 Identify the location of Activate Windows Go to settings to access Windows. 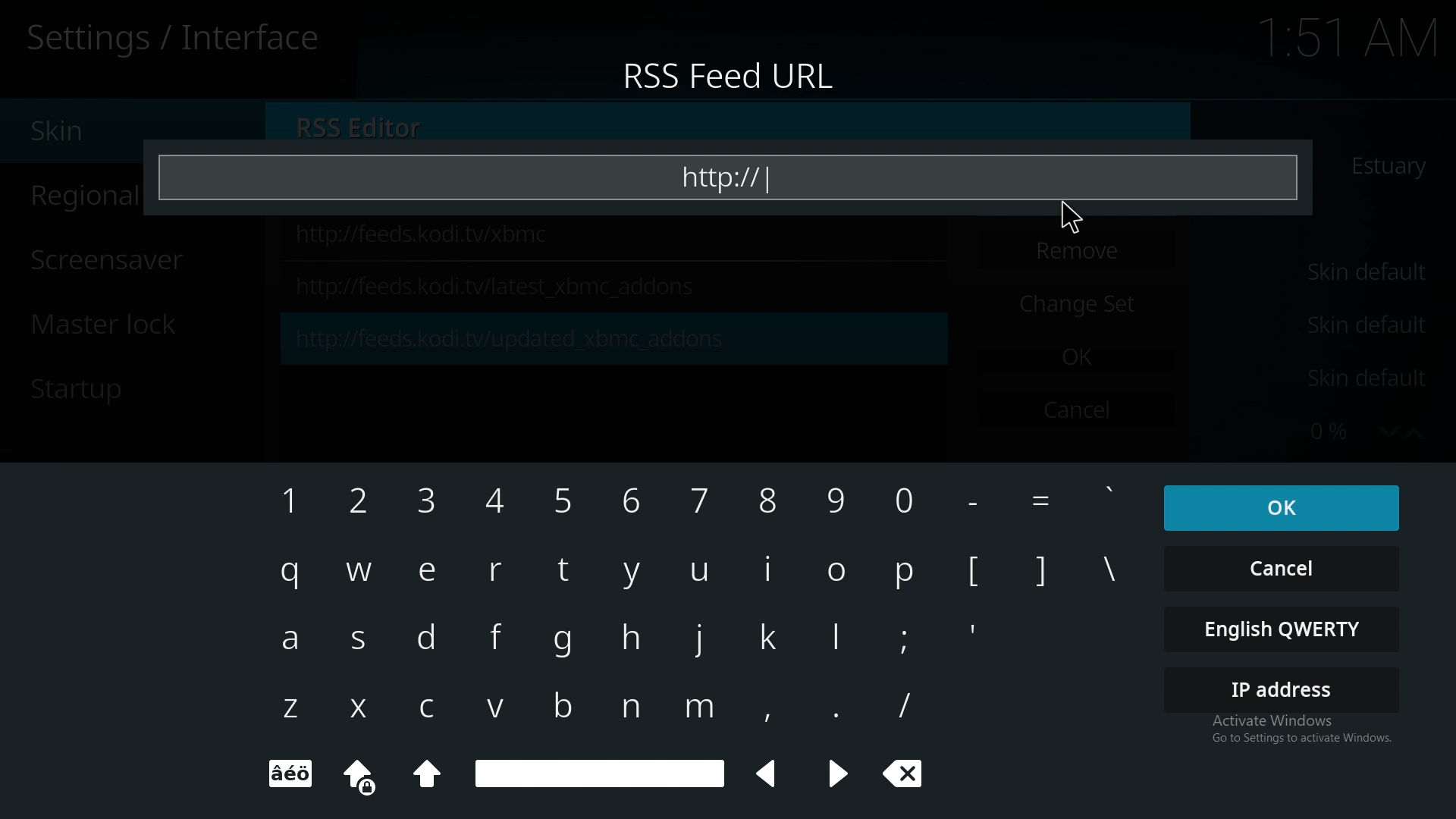
(1285, 739).